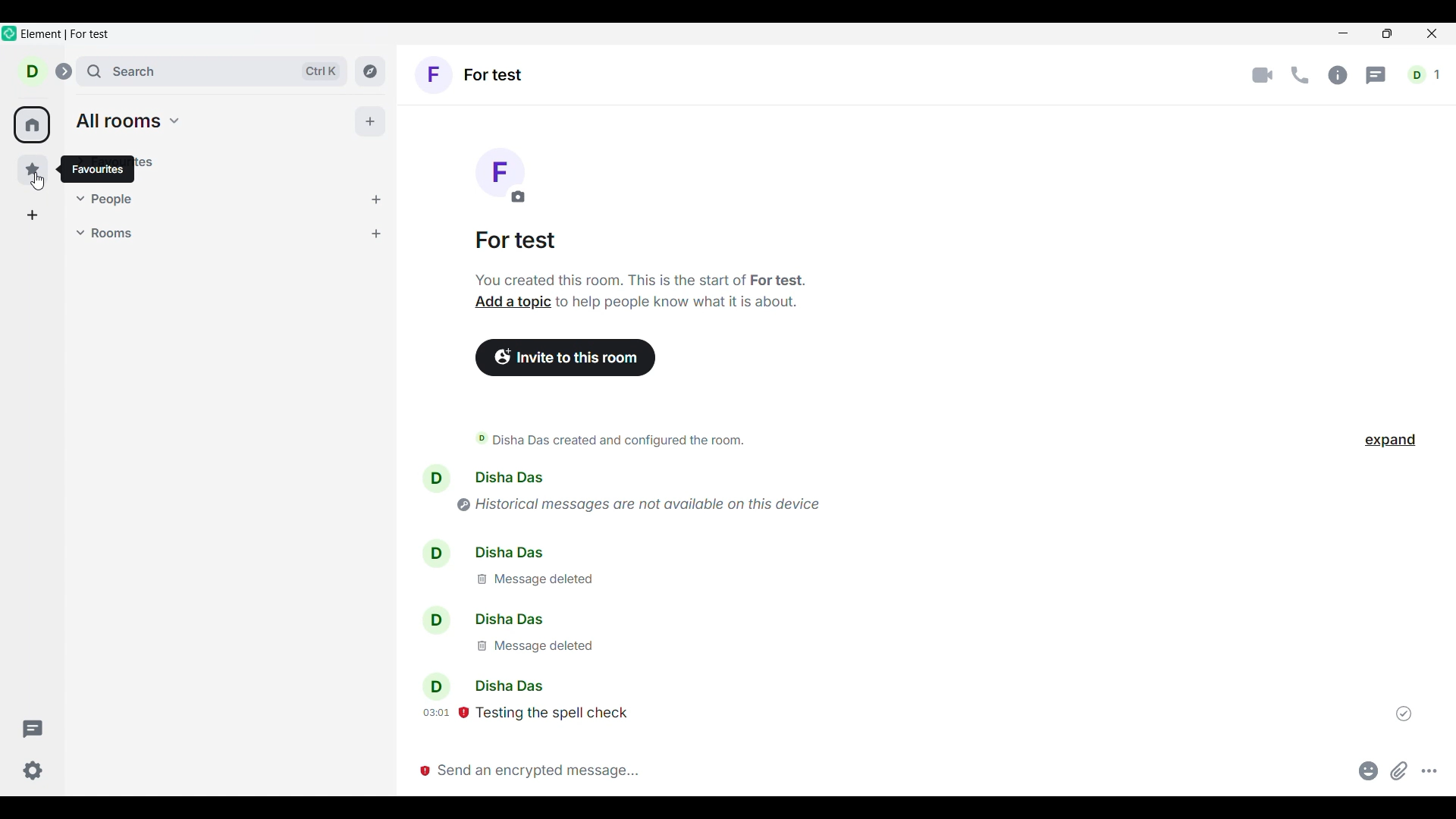 This screenshot has height=819, width=1456. I want to click on cursor movement, so click(43, 186).